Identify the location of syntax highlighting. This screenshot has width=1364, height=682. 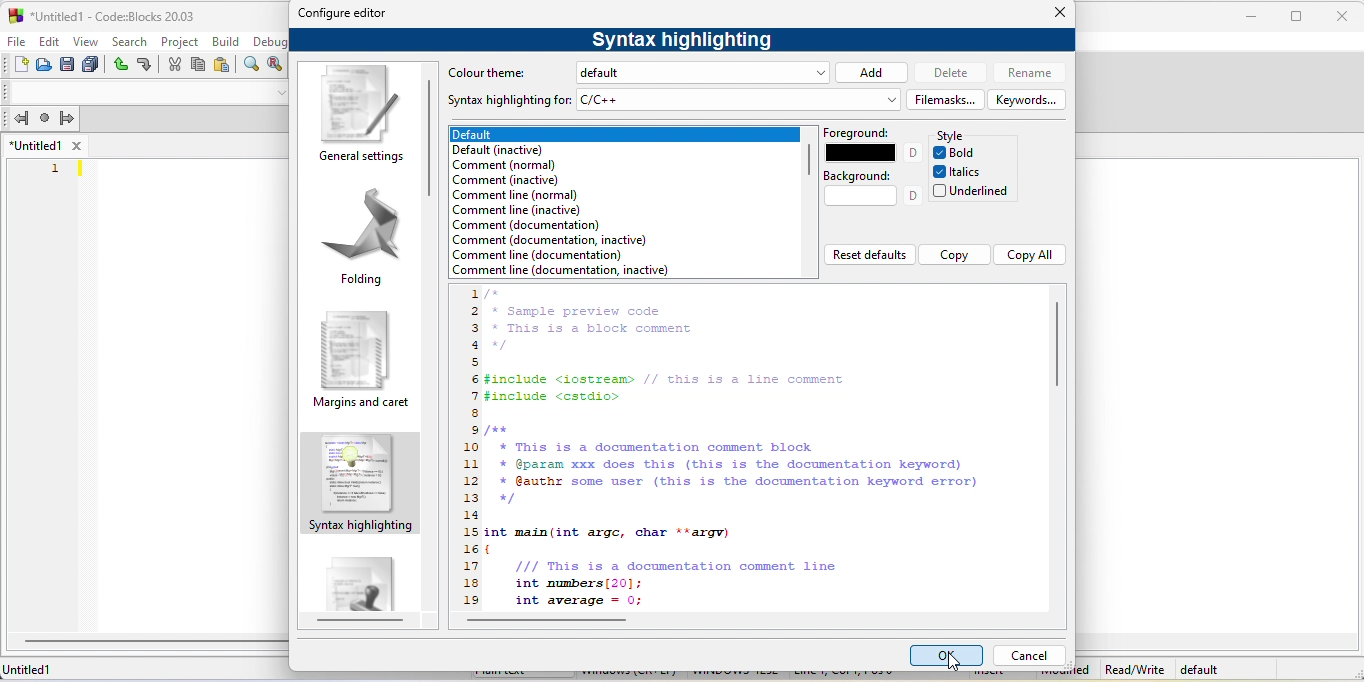
(684, 41).